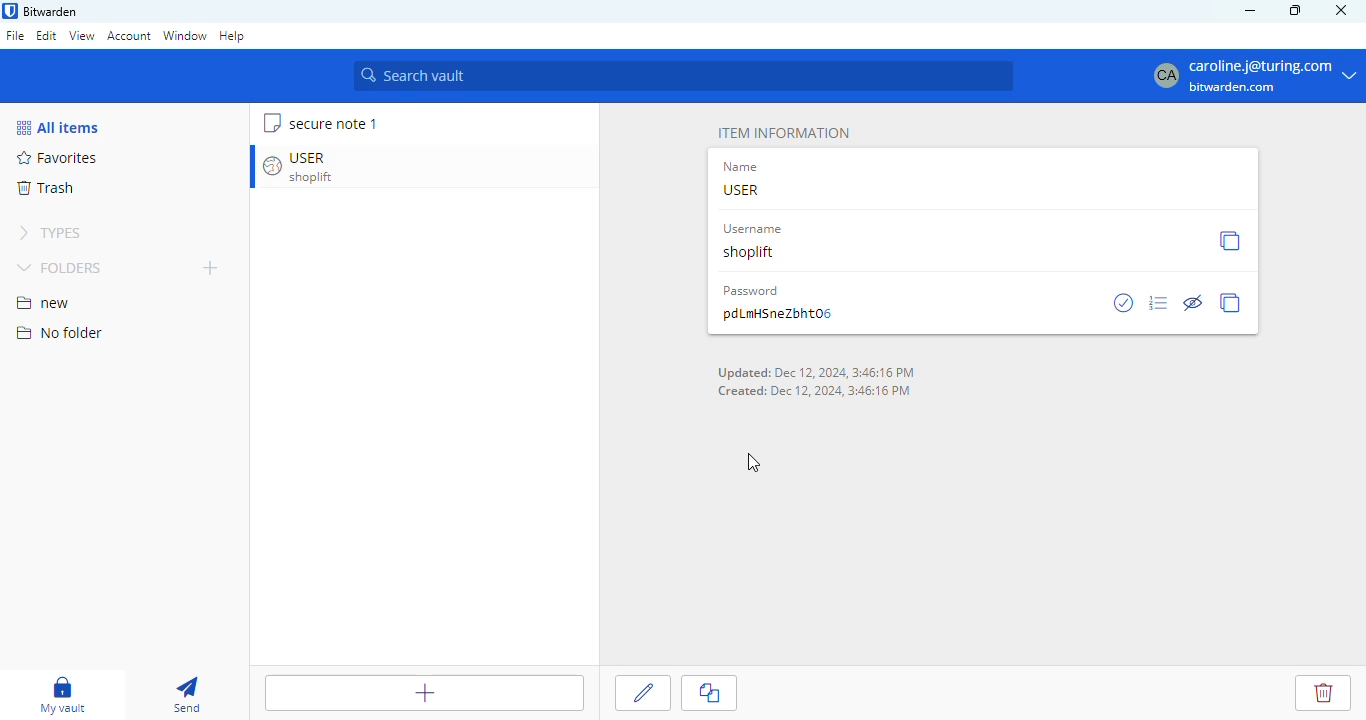  Describe the element at coordinates (54, 233) in the screenshot. I see `types` at that location.